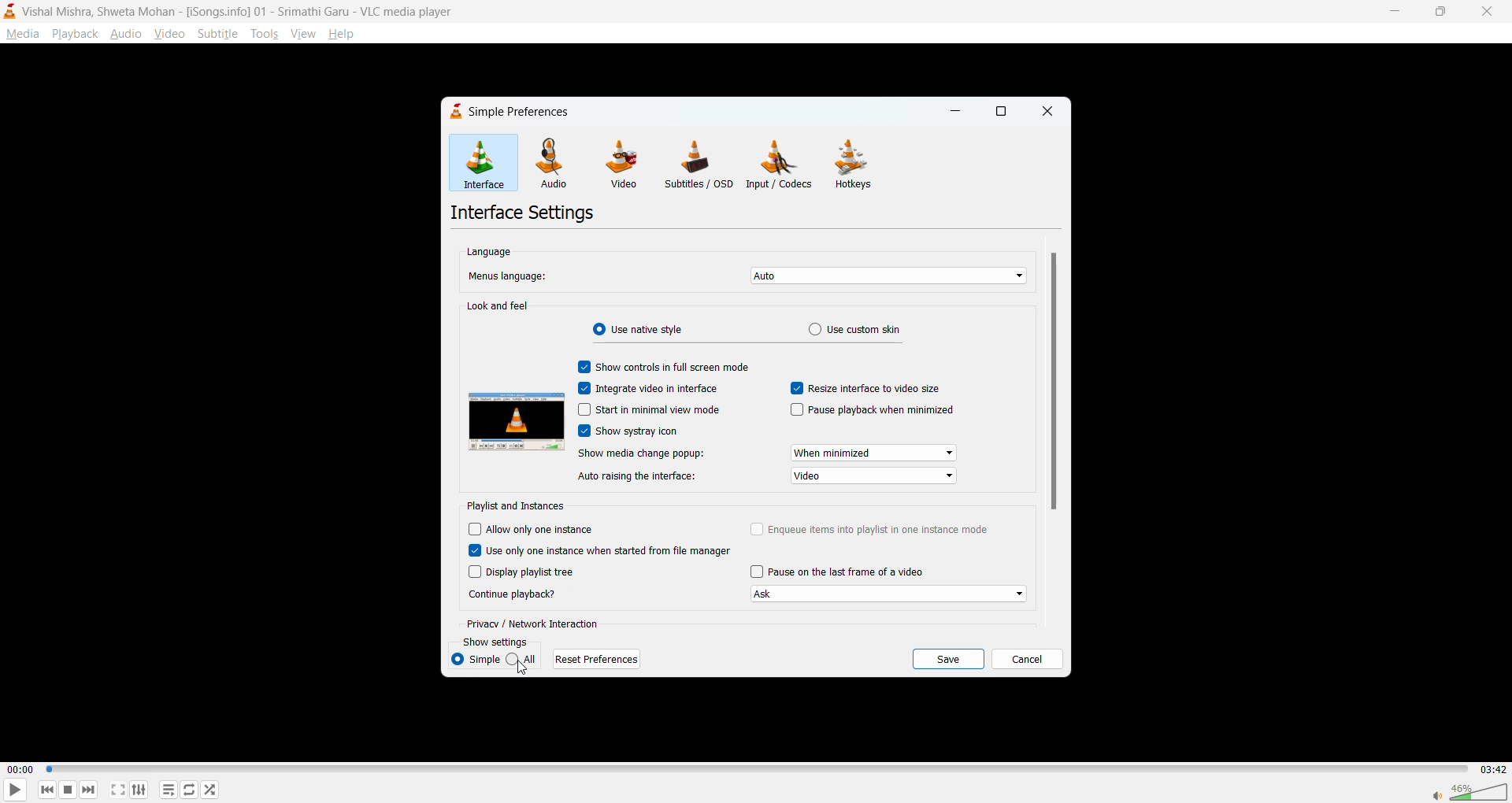 The height and width of the screenshot is (803, 1512). I want to click on video, so click(626, 164).